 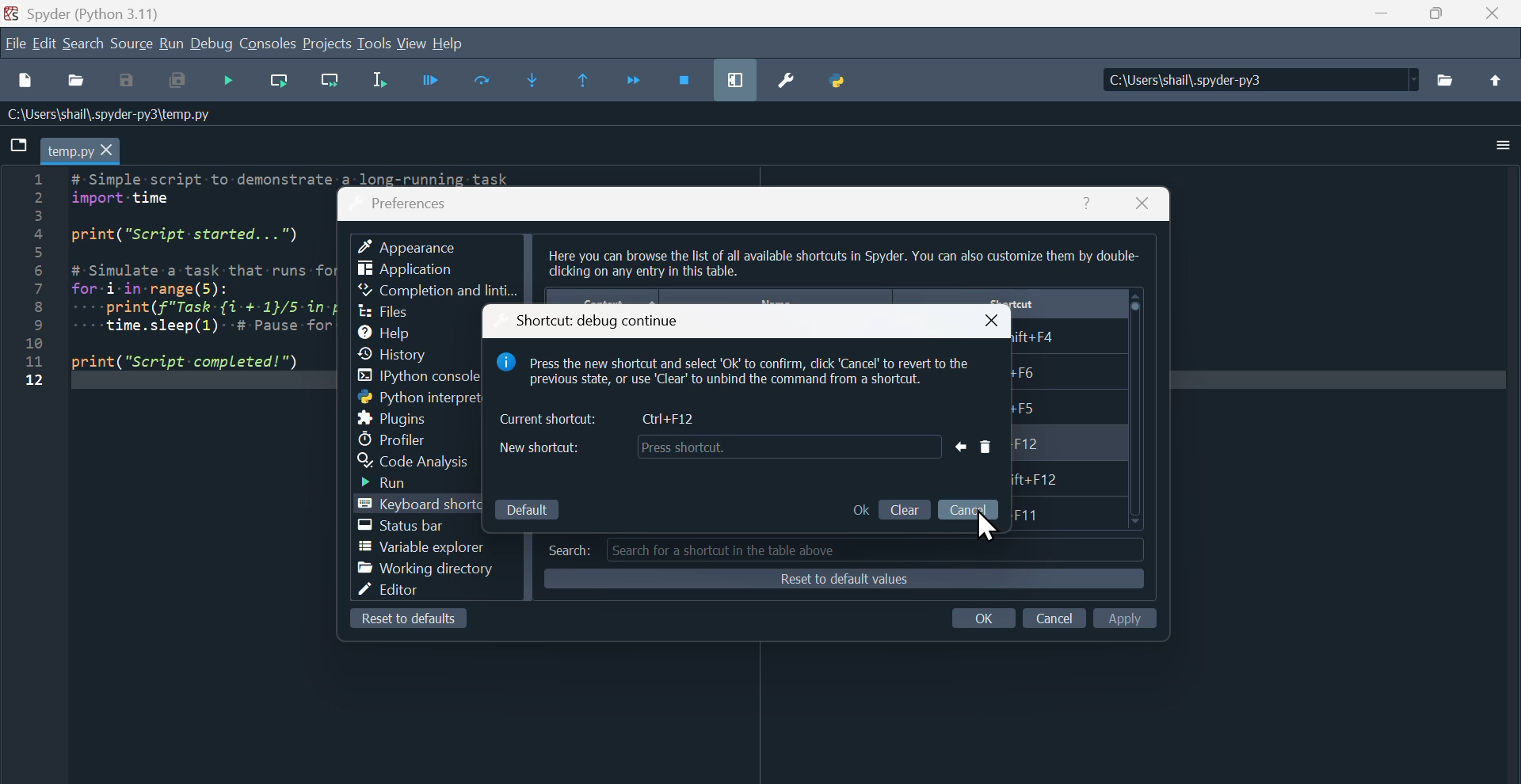 What do you see at coordinates (398, 438) in the screenshot?
I see `Profiler` at bounding box center [398, 438].